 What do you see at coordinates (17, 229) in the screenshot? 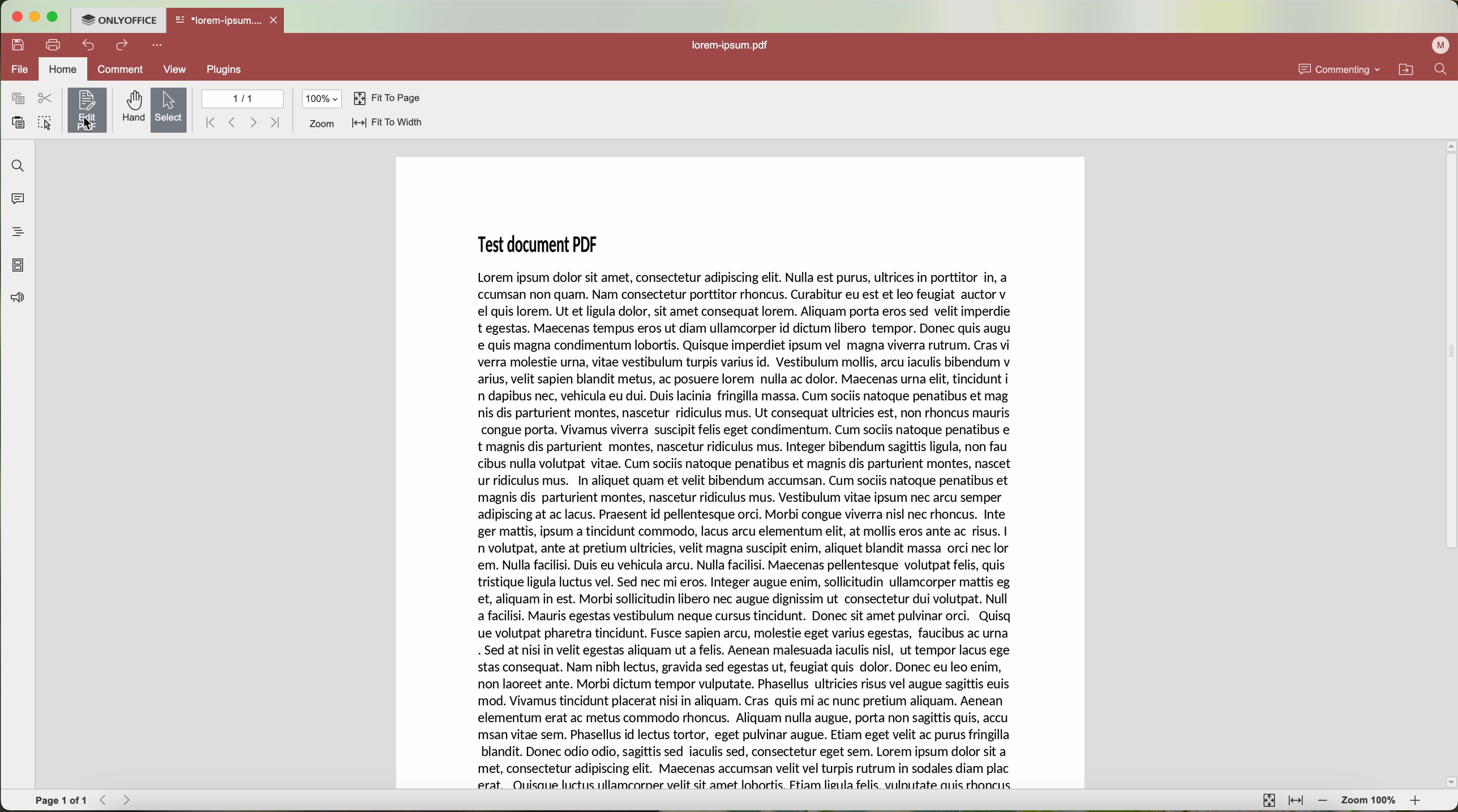
I see `heading` at bounding box center [17, 229].